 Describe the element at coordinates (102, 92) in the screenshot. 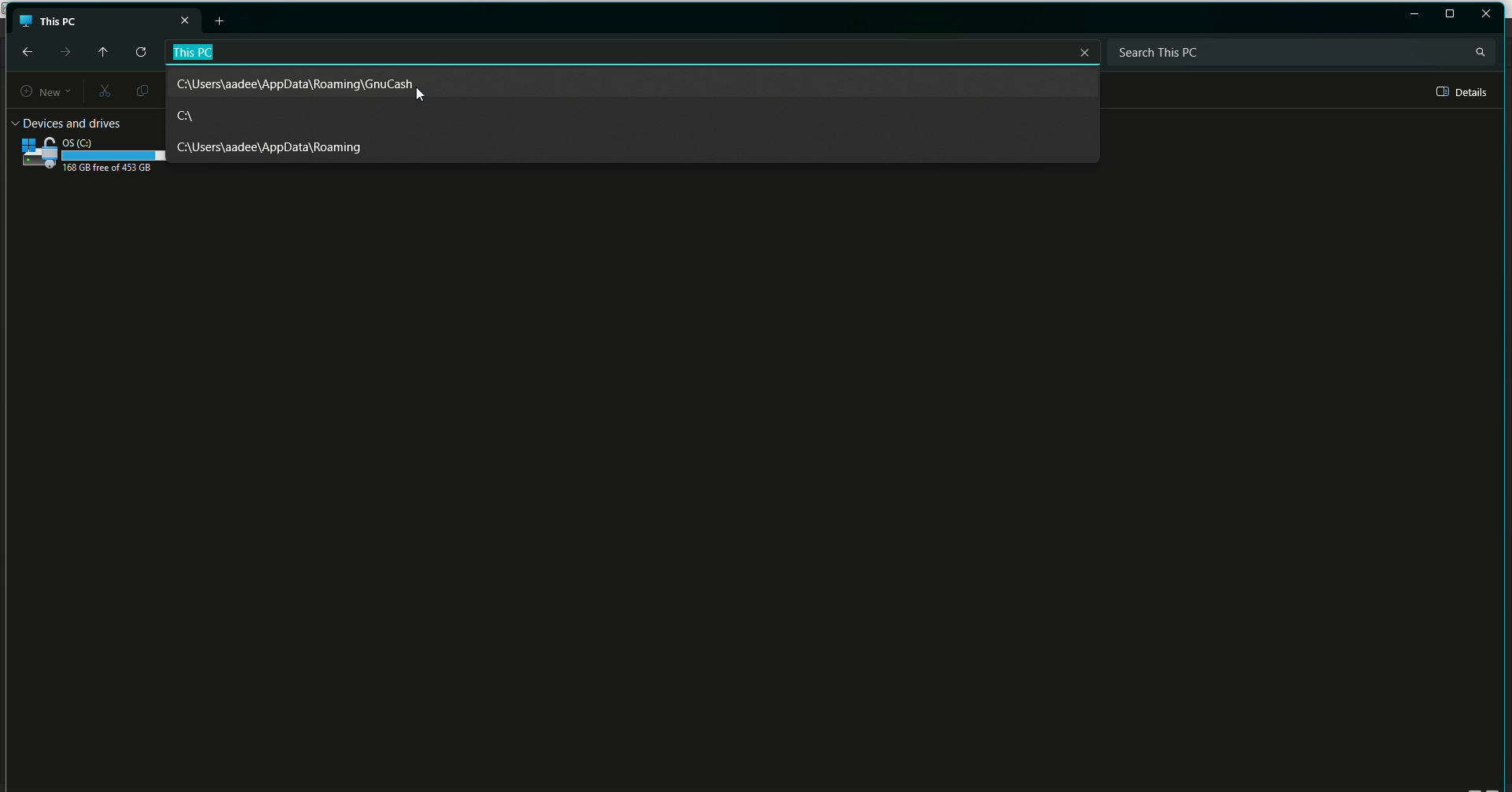

I see `Cut` at that location.